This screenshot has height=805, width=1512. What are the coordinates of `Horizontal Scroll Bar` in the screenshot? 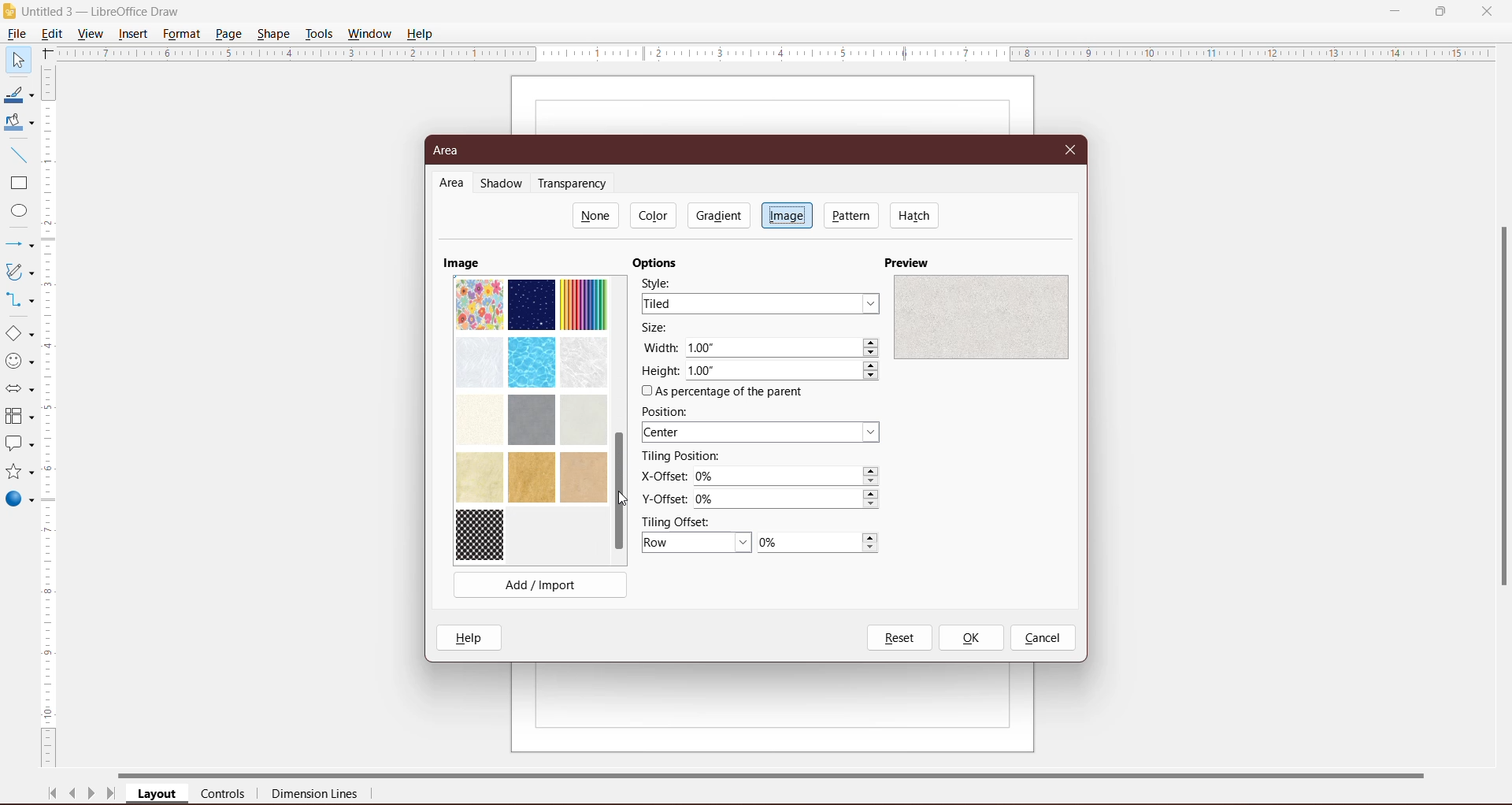 It's located at (788, 773).